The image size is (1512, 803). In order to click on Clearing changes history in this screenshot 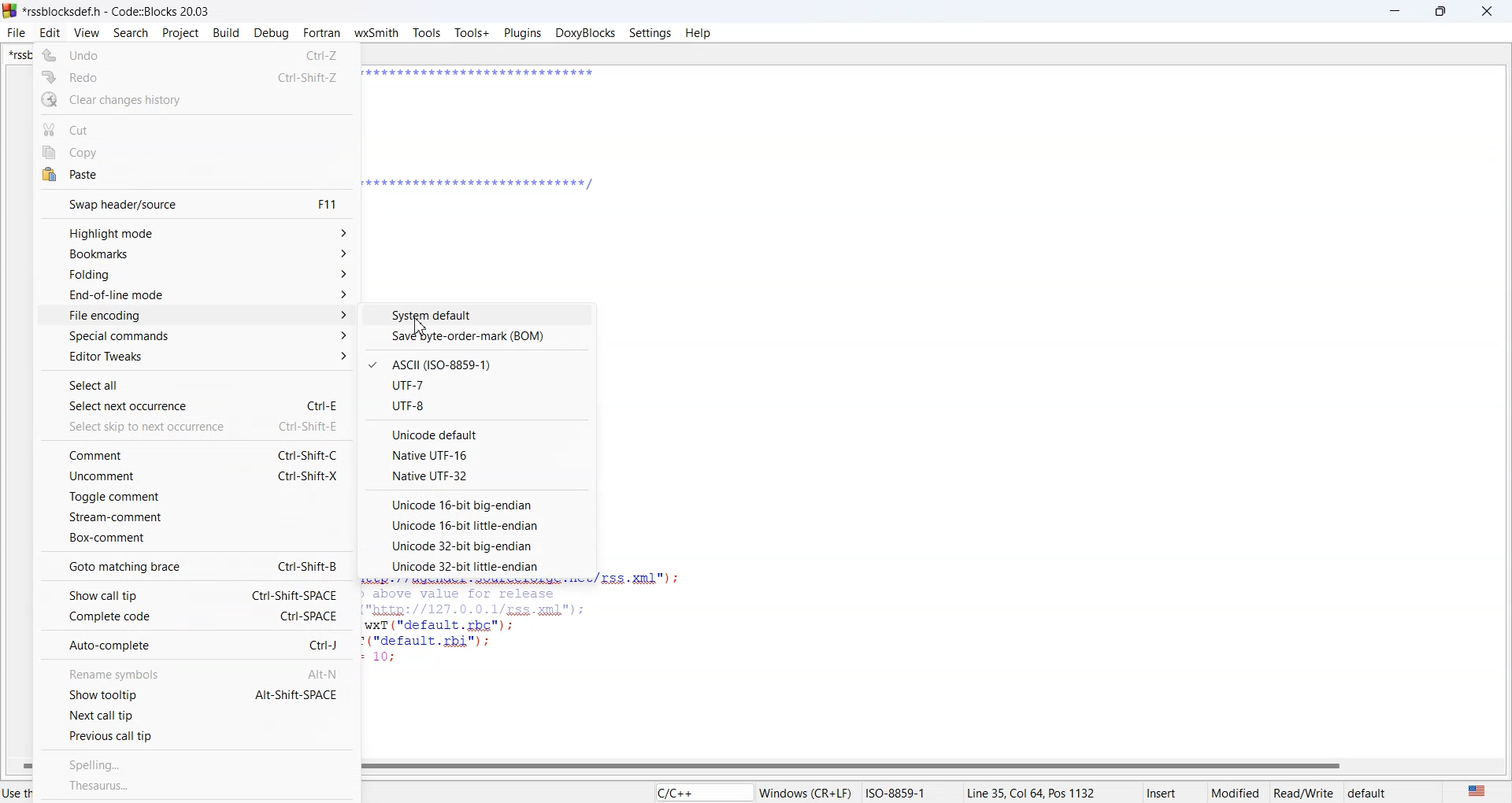, I will do `click(196, 100)`.